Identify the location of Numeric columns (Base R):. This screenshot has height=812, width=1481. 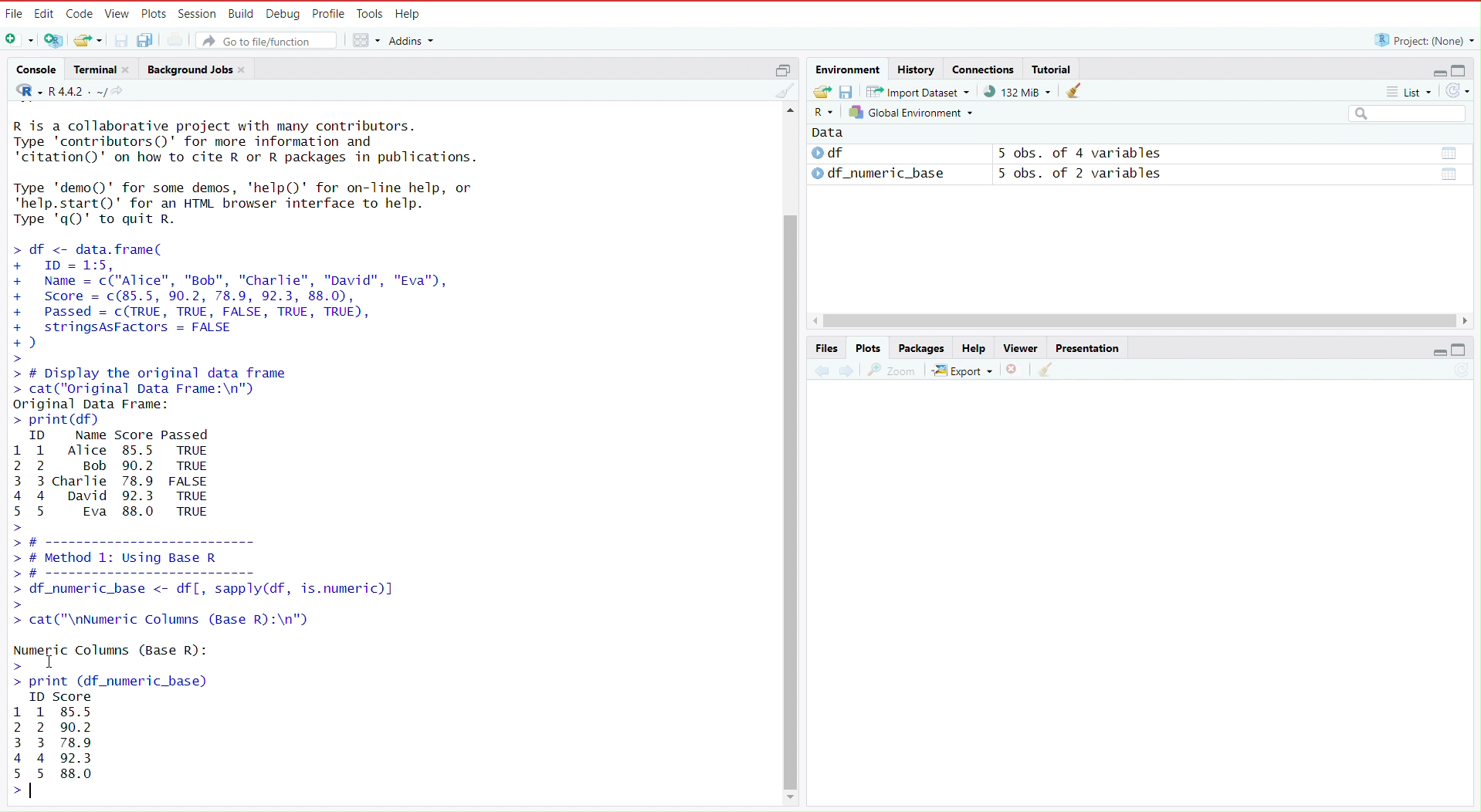
(110, 648).